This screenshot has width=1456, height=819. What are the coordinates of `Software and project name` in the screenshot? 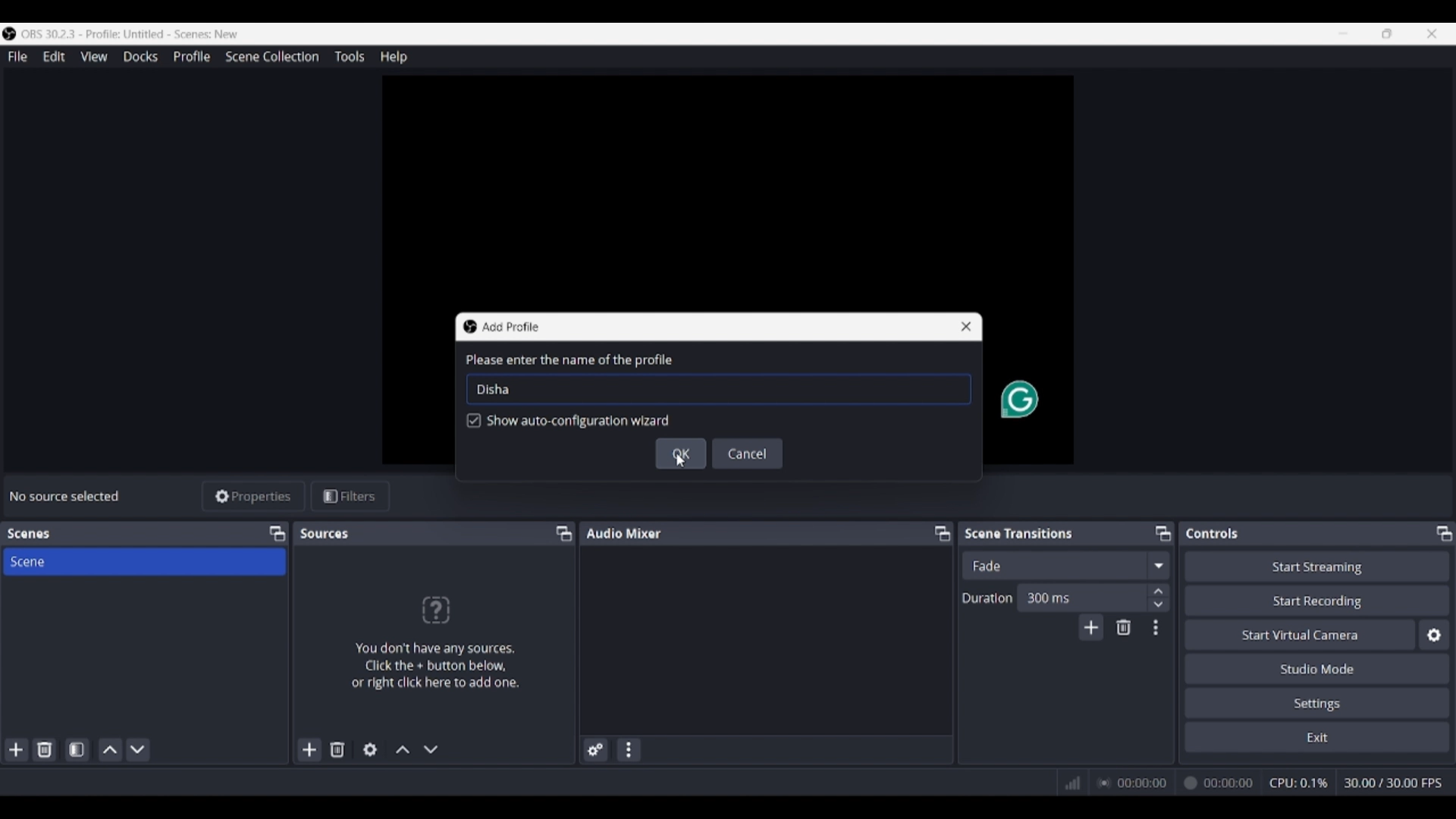 It's located at (130, 34).